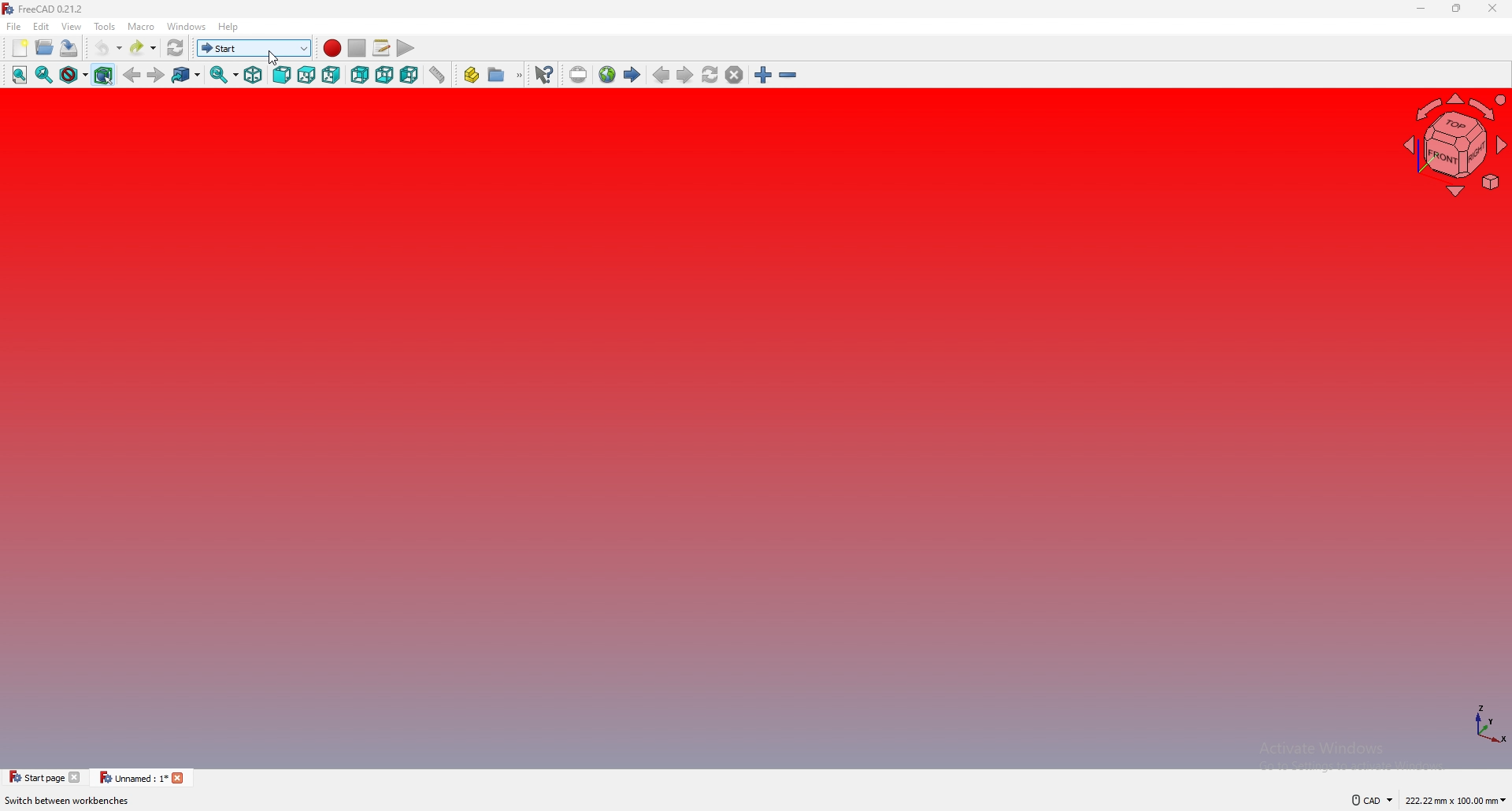  Describe the element at coordinates (409, 74) in the screenshot. I see `left` at that location.